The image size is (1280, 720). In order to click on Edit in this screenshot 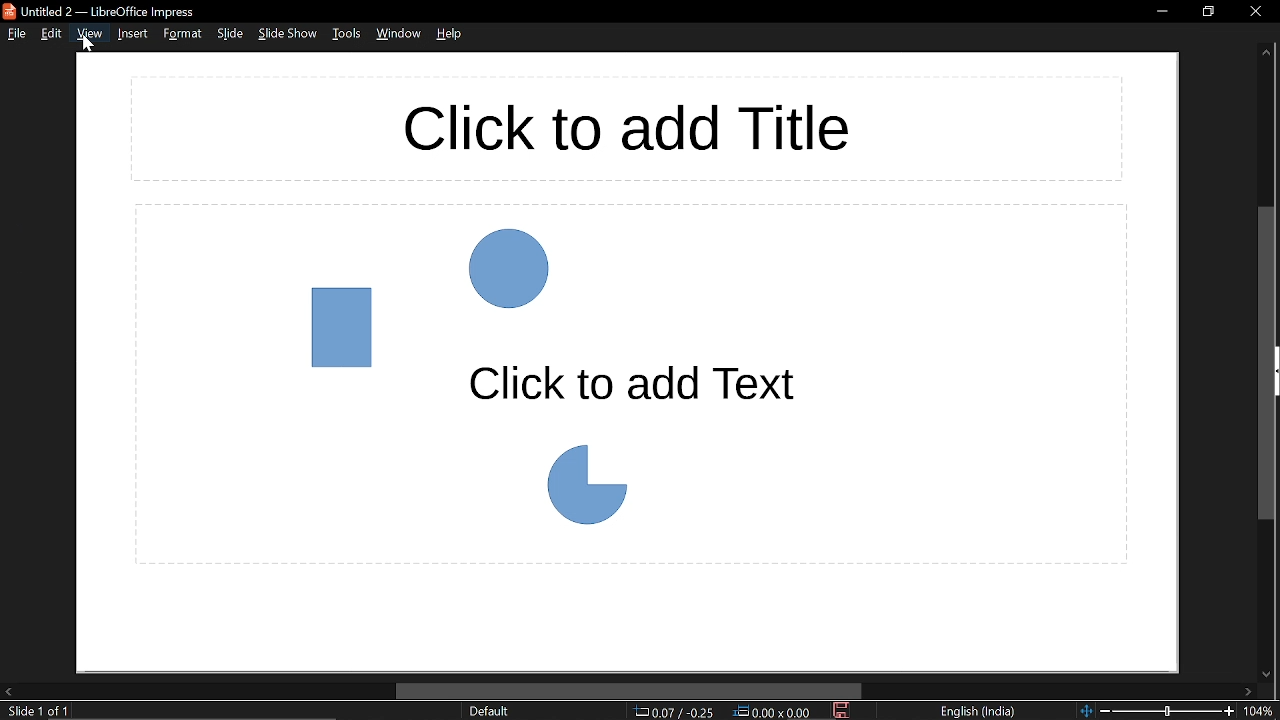, I will do `click(52, 34)`.